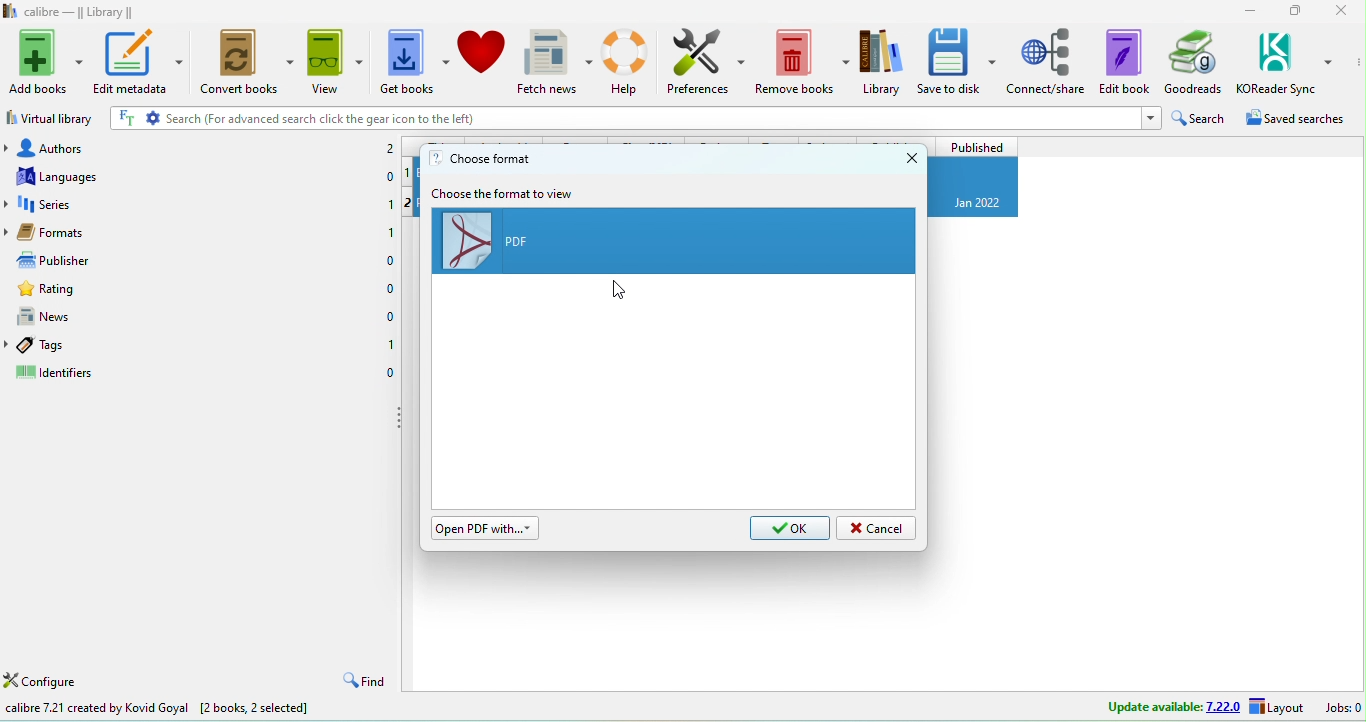  I want to click on Edit book, so click(1124, 61).